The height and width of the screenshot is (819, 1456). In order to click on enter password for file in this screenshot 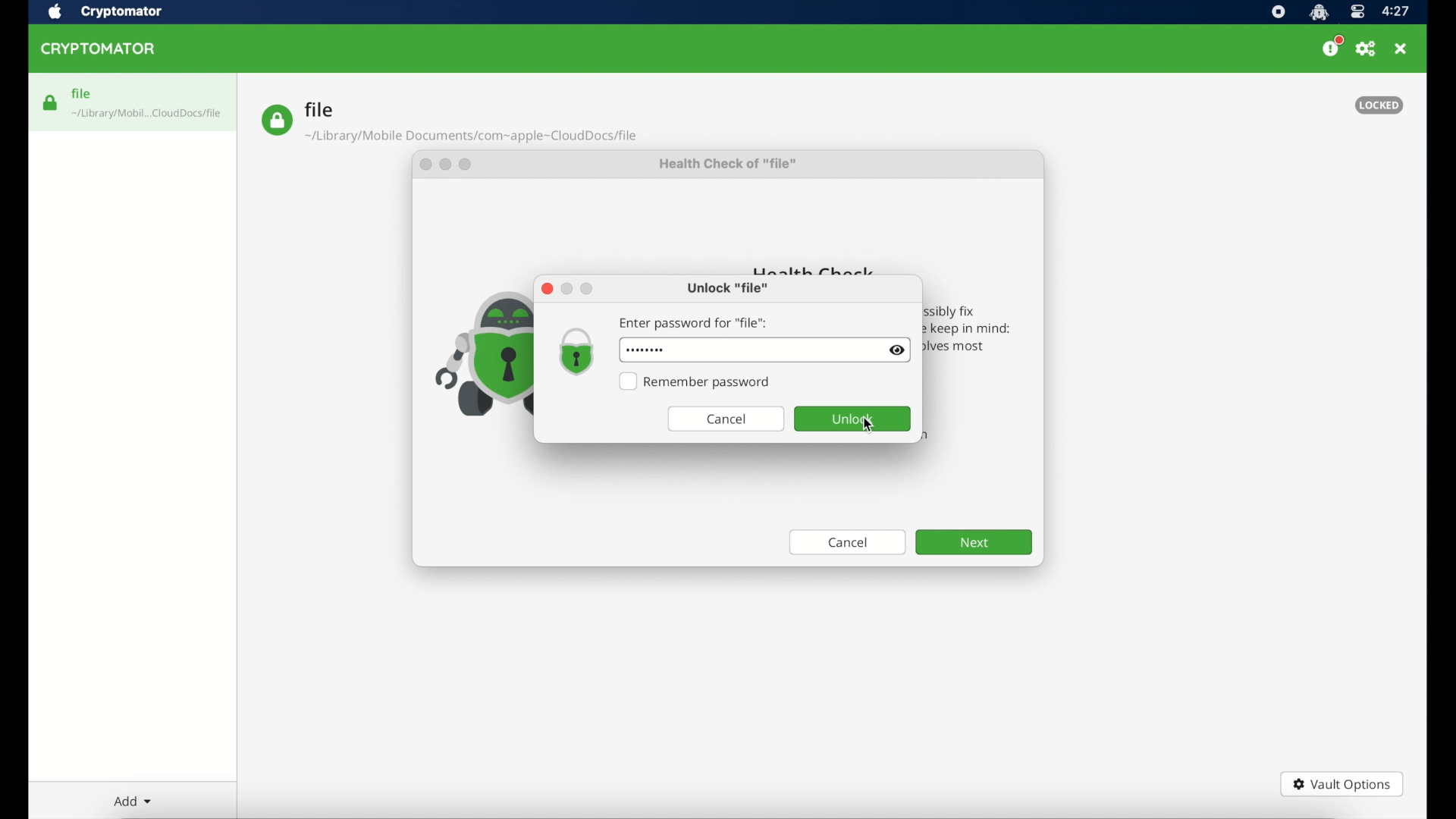, I will do `click(695, 323)`.